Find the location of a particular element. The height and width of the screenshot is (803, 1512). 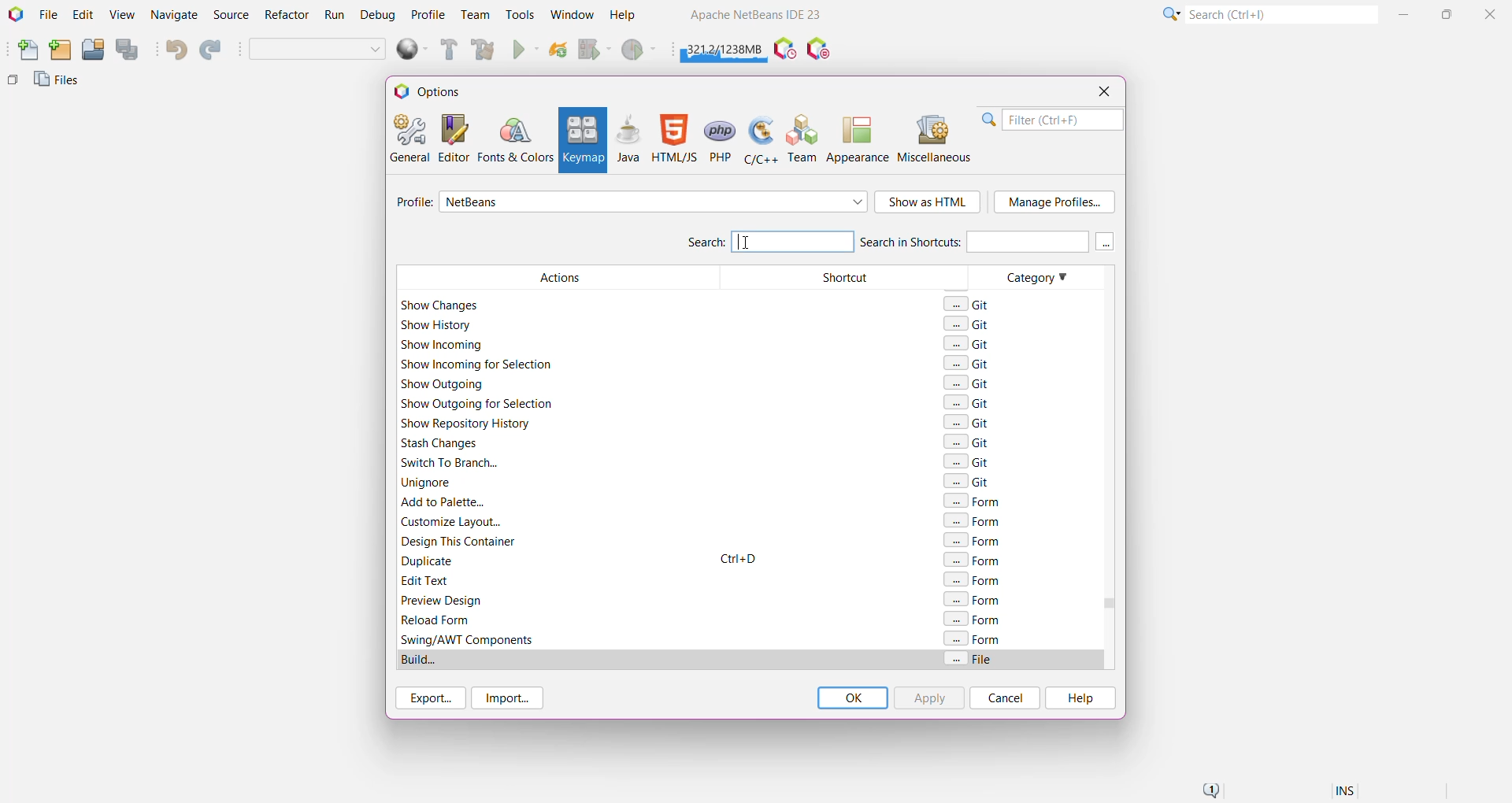

Help is located at coordinates (630, 17).